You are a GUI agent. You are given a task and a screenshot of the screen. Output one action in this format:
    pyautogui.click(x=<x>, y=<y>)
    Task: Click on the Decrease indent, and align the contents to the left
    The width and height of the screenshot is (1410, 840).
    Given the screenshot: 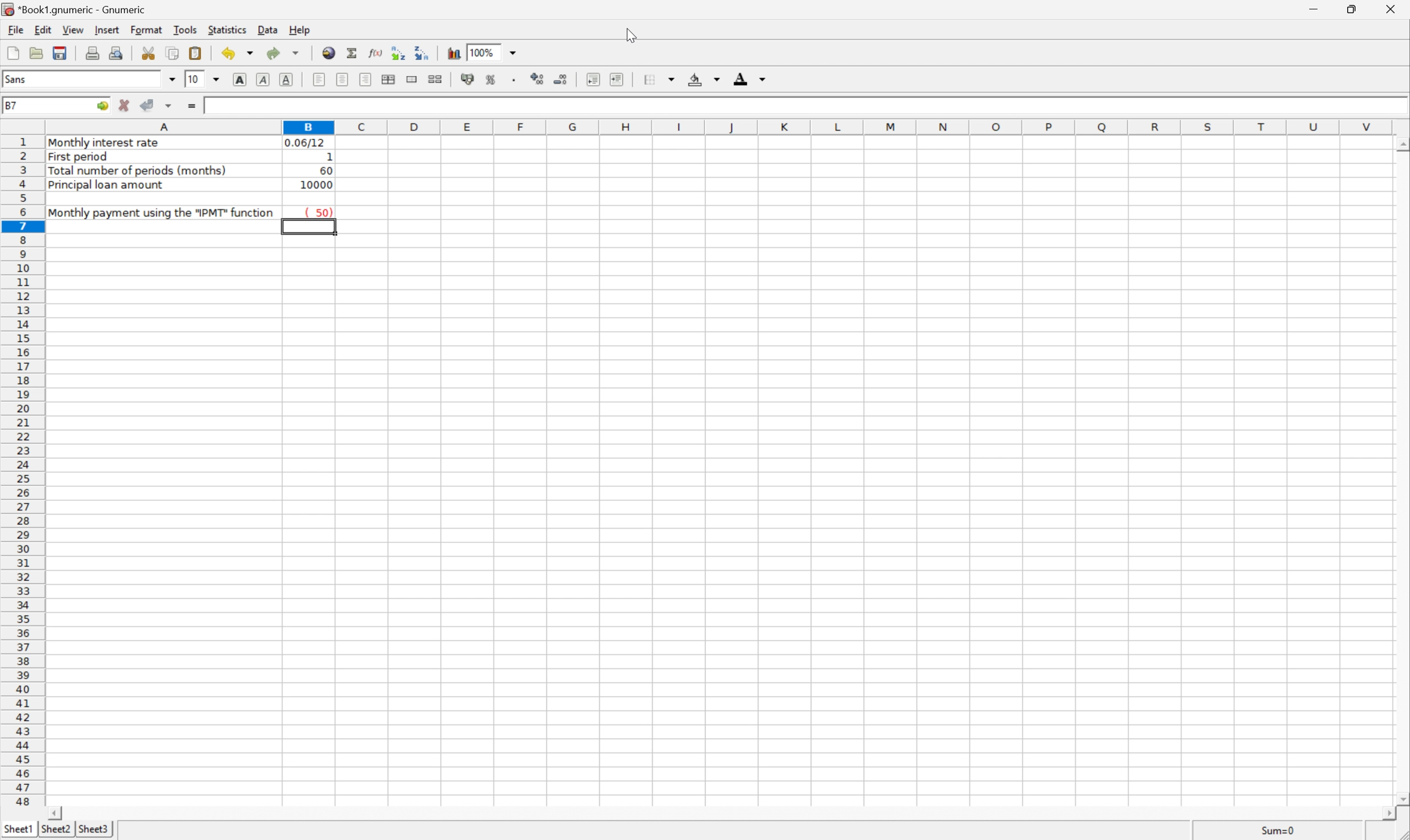 What is the action you would take?
    pyautogui.click(x=592, y=79)
    